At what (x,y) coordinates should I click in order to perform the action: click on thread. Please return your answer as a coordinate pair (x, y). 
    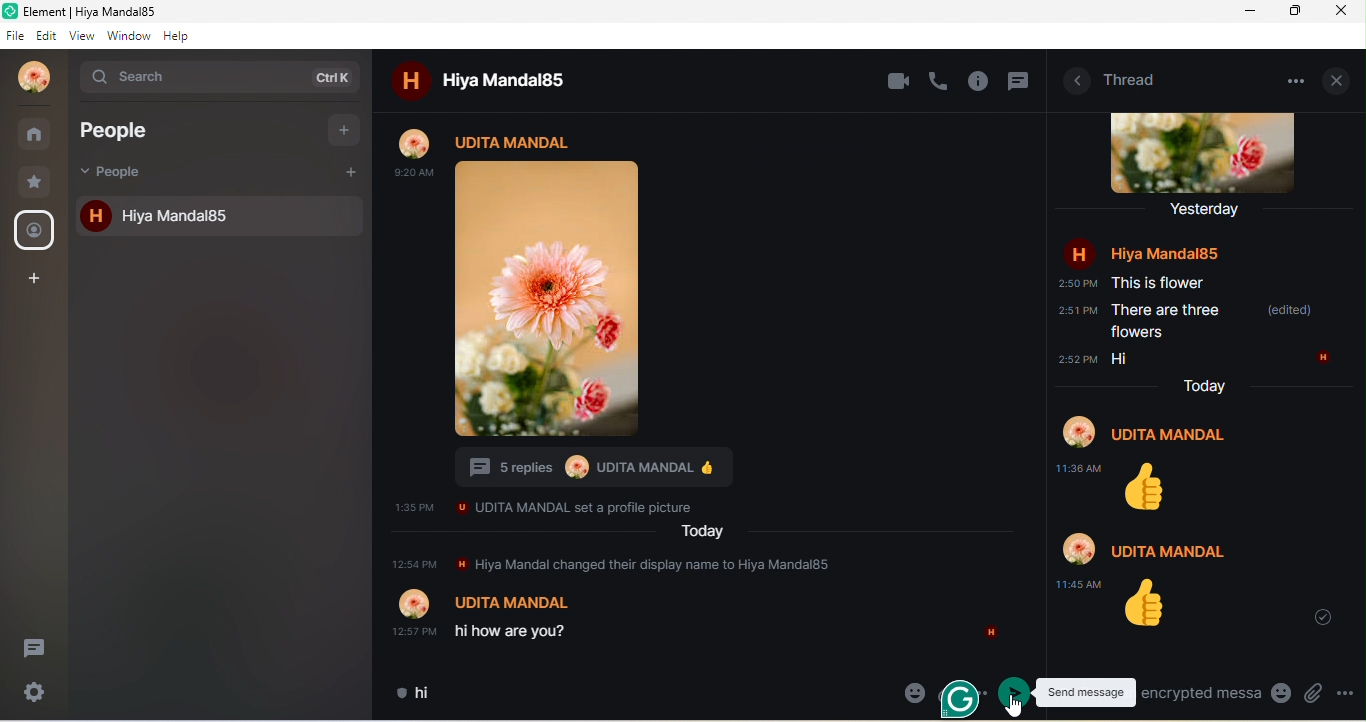
    Looking at the image, I should click on (848, 148).